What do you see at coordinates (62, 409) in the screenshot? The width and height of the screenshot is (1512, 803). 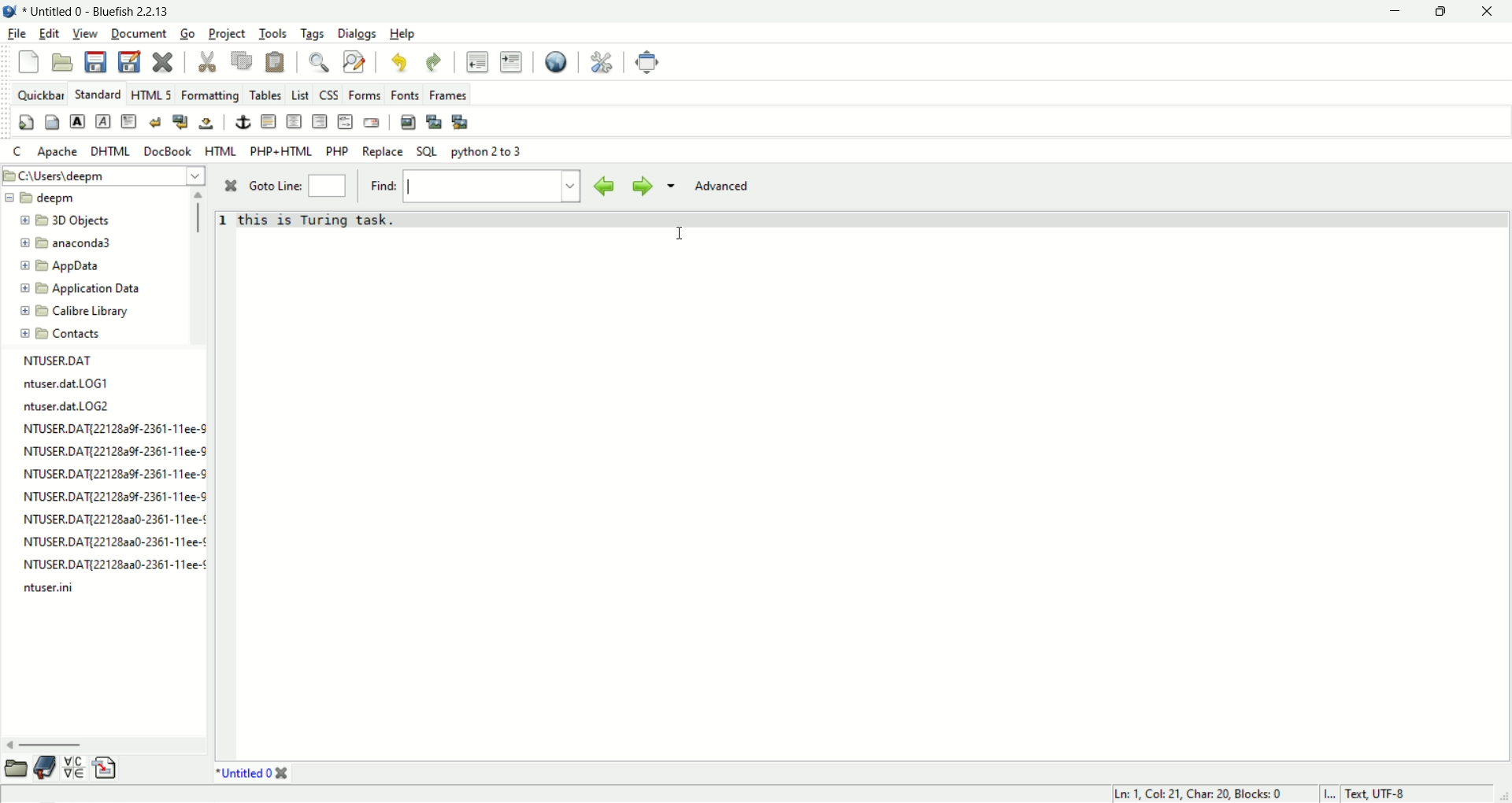 I see `ntuser.dat.LOG2` at bounding box center [62, 409].